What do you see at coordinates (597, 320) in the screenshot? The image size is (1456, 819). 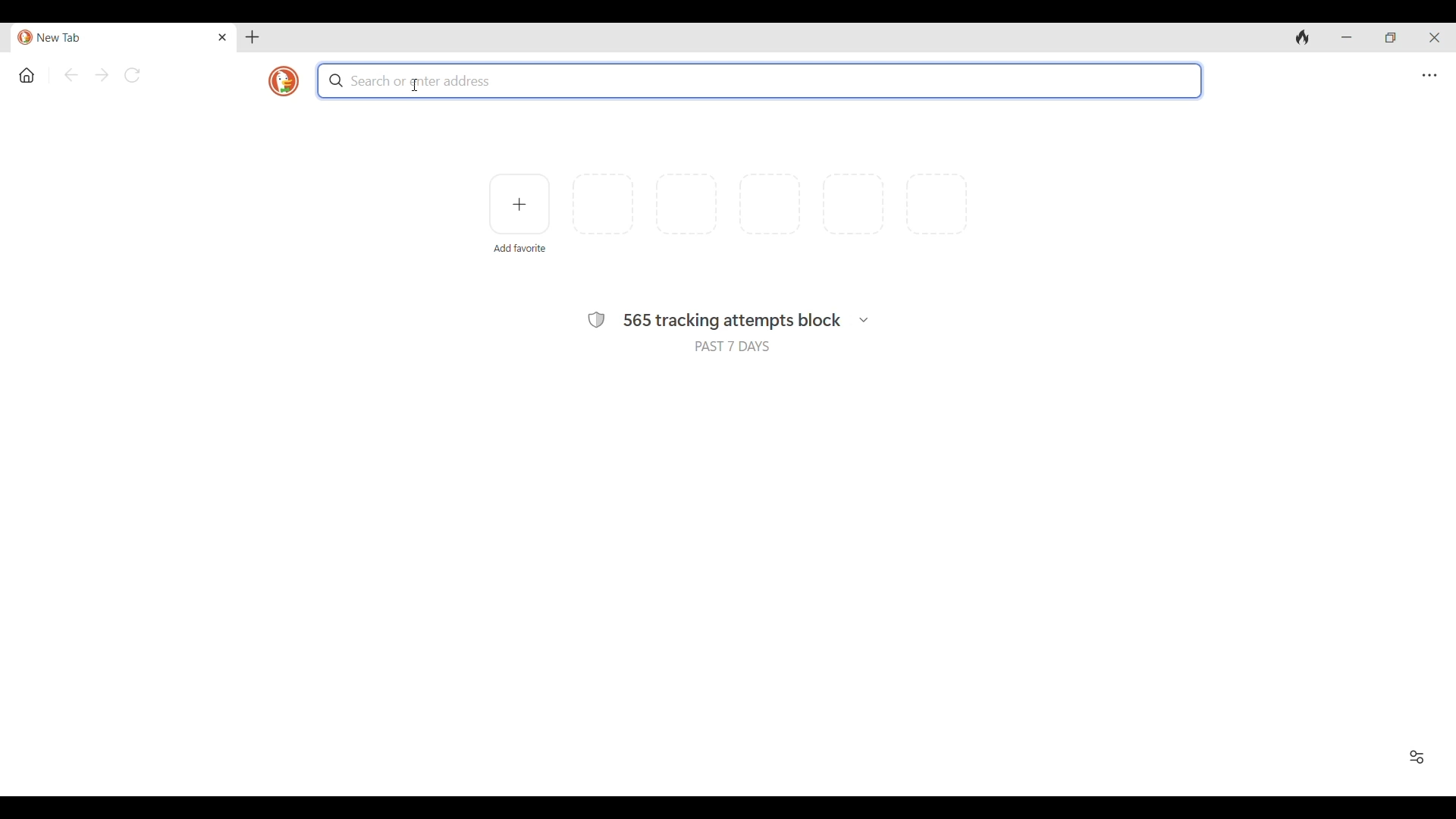 I see `Browser shield symbol` at bounding box center [597, 320].